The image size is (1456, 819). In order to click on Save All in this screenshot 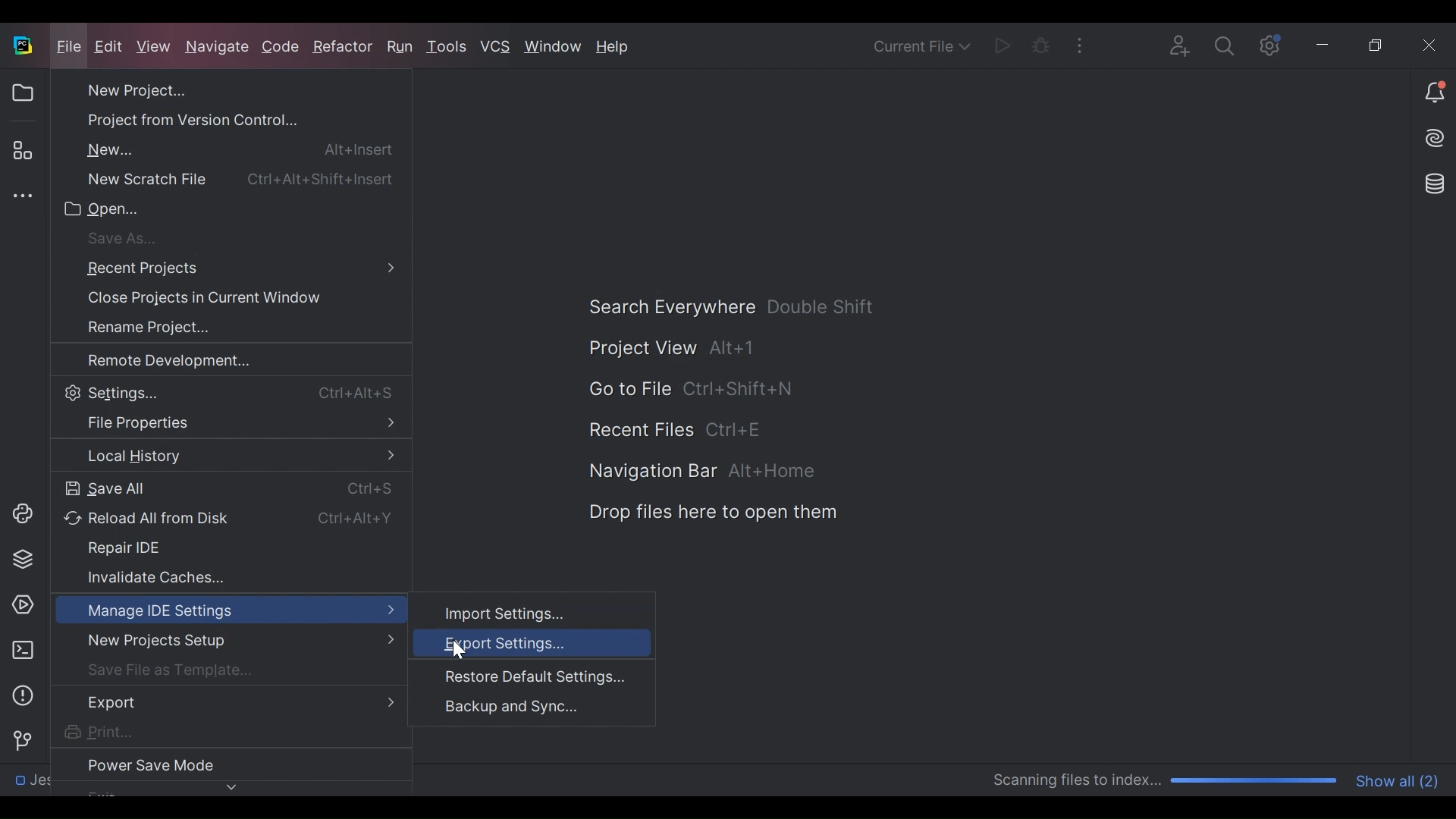, I will do `click(221, 488)`.